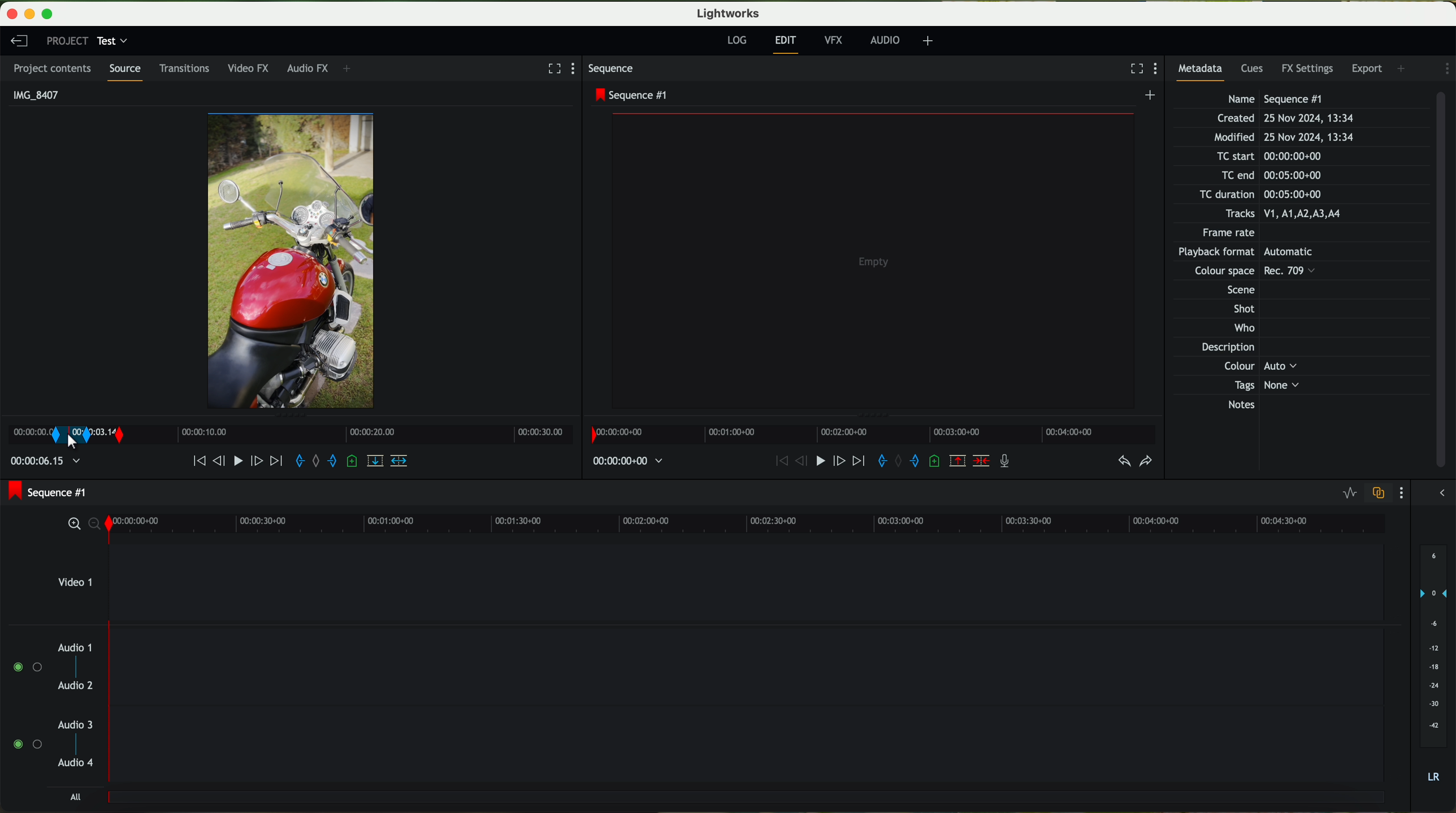 Image resolution: width=1456 pixels, height=813 pixels. Describe the element at coordinates (128, 72) in the screenshot. I see `source` at that location.